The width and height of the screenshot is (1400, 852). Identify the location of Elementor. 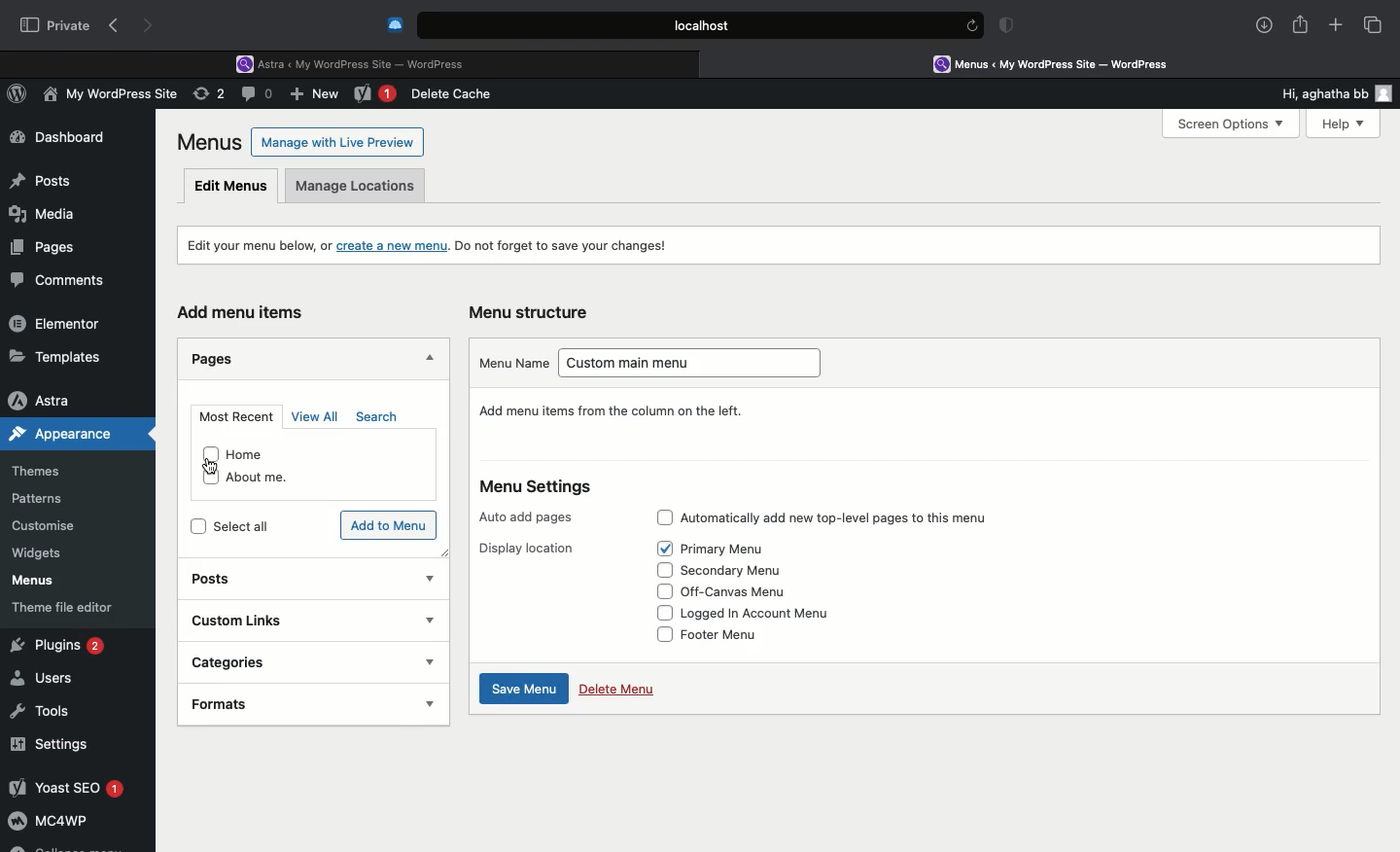
(58, 323).